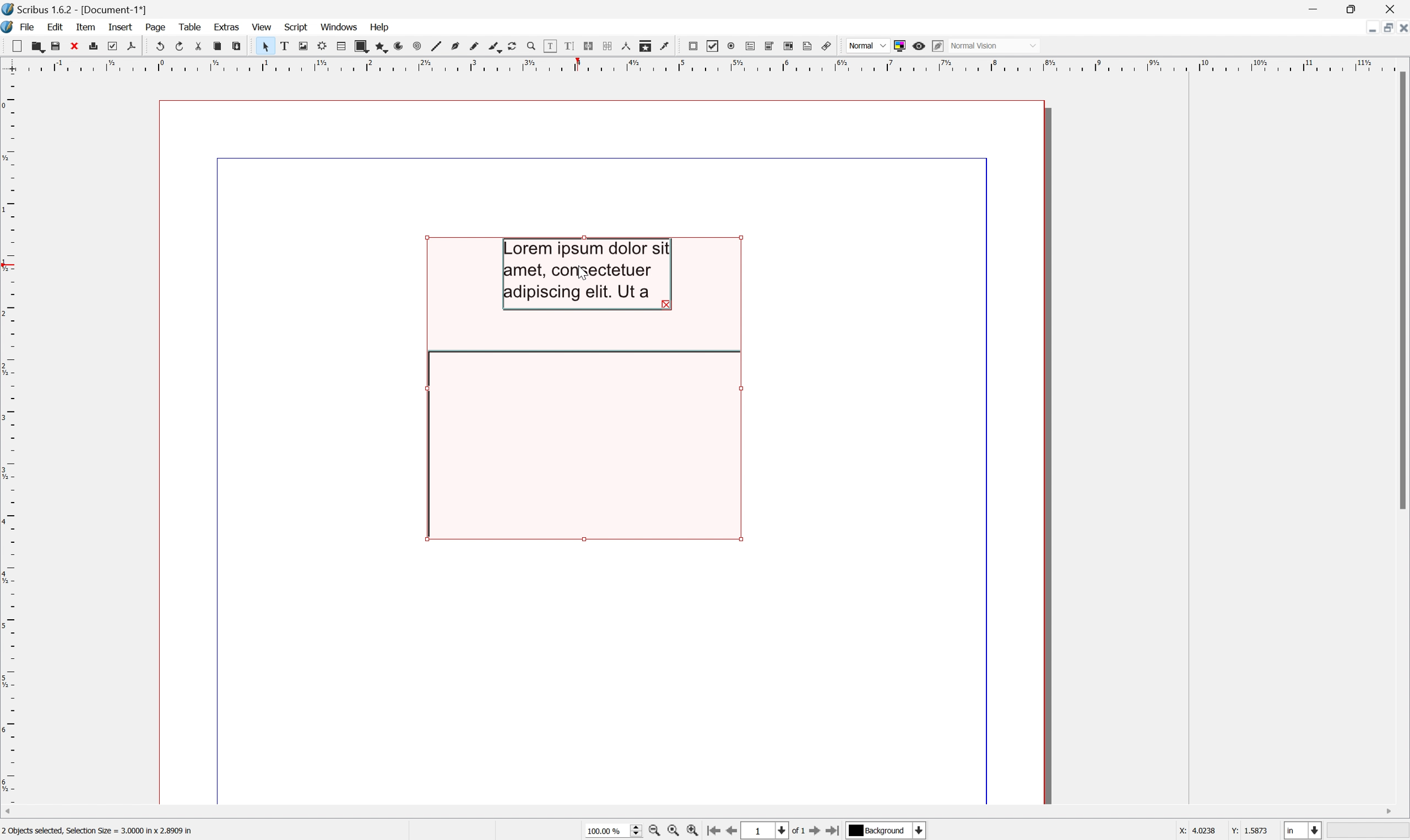 This screenshot has width=1410, height=840. I want to click on Select the current unit, so click(1304, 831).